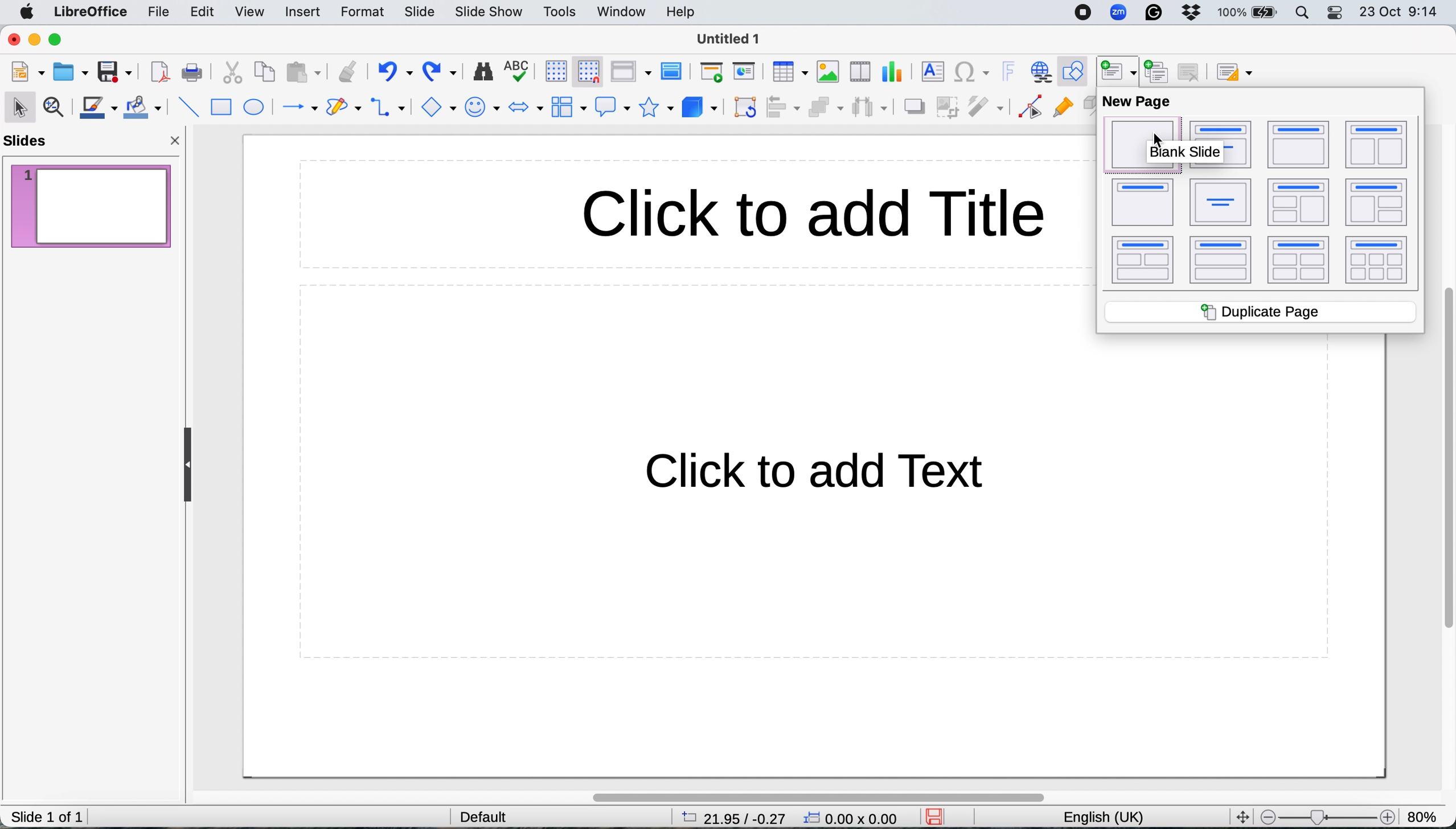  Describe the element at coordinates (1427, 815) in the screenshot. I see `zoom factor` at that location.